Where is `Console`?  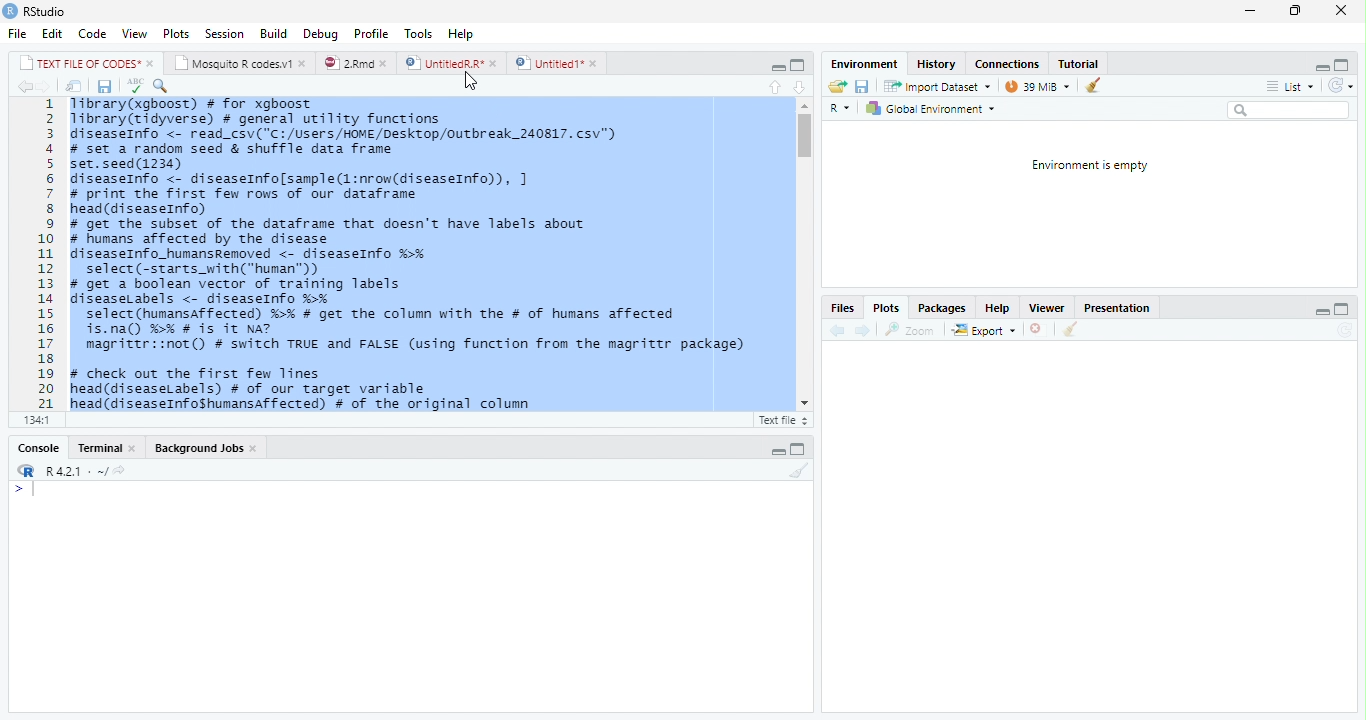
Console is located at coordinates (39, 447).